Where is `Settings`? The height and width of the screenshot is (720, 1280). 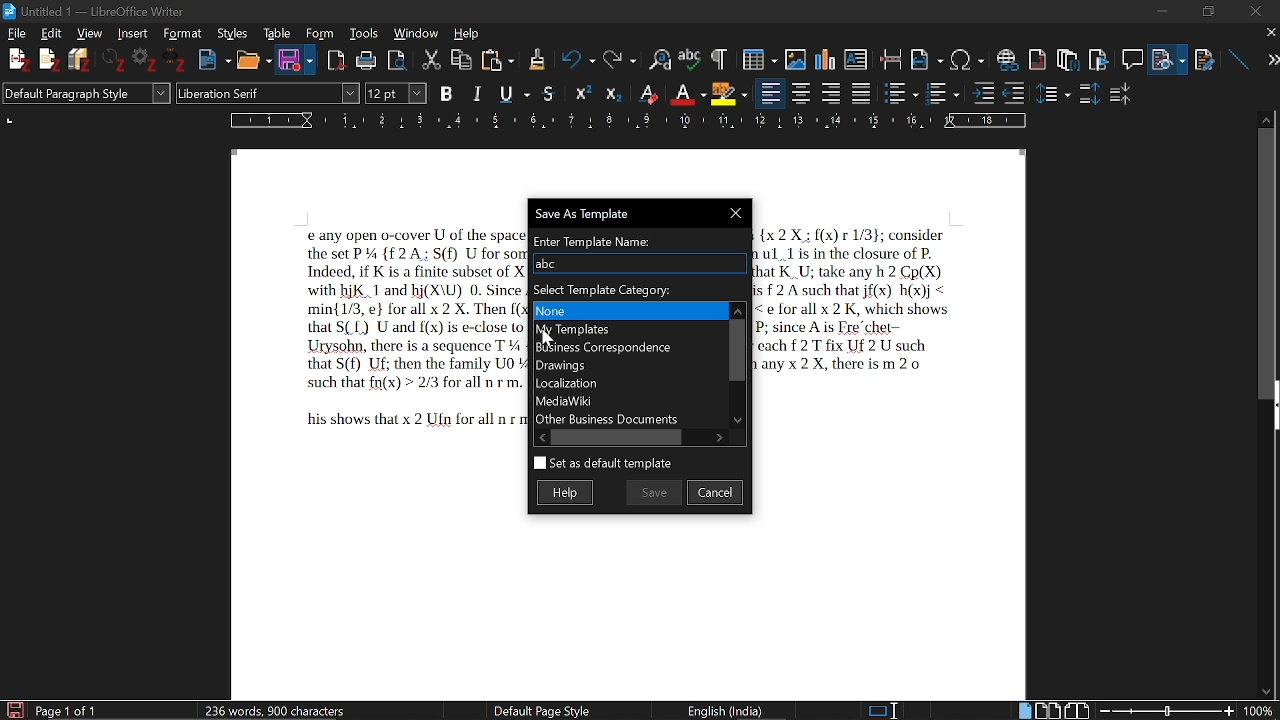 Settings is located at coordinates (147, 62).